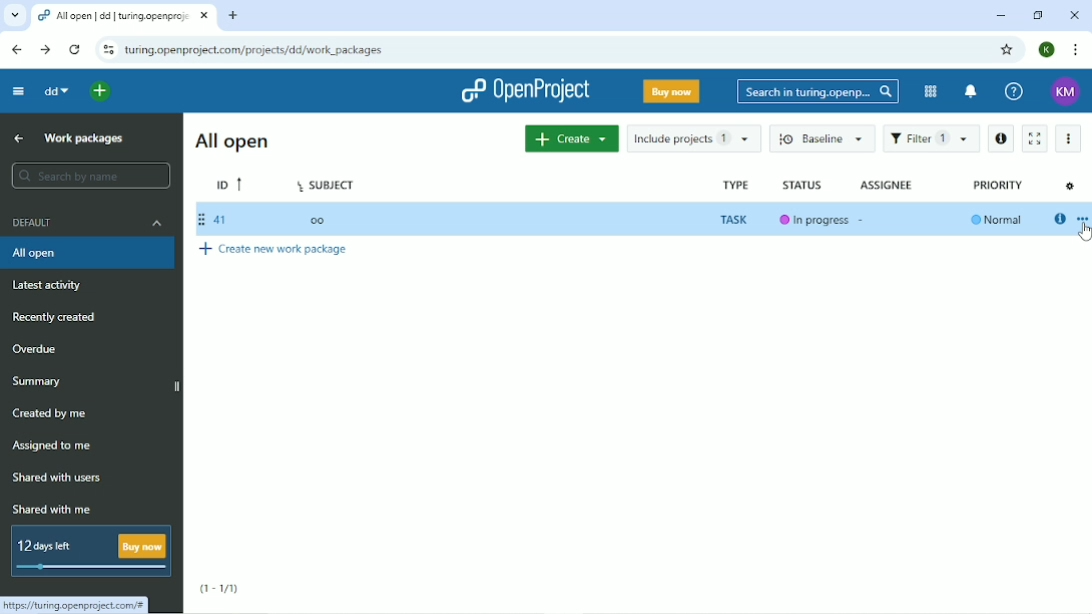 The height and width of the screenshot is (614, 1092). Describe the element at coordinates (1059, 219) in the screenshot. I see `Open details view` at that location.